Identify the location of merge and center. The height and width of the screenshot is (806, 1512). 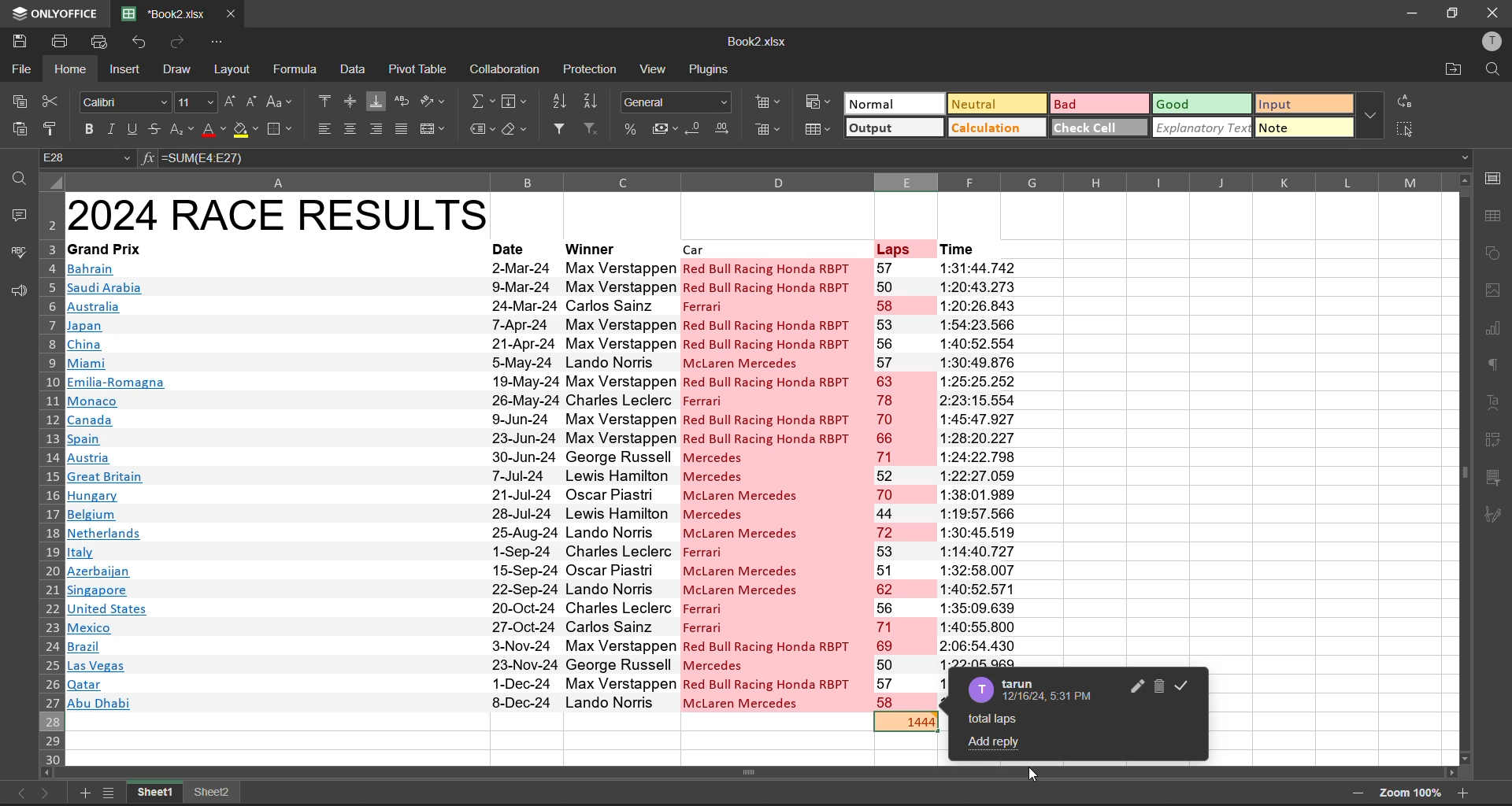
(435, 130).